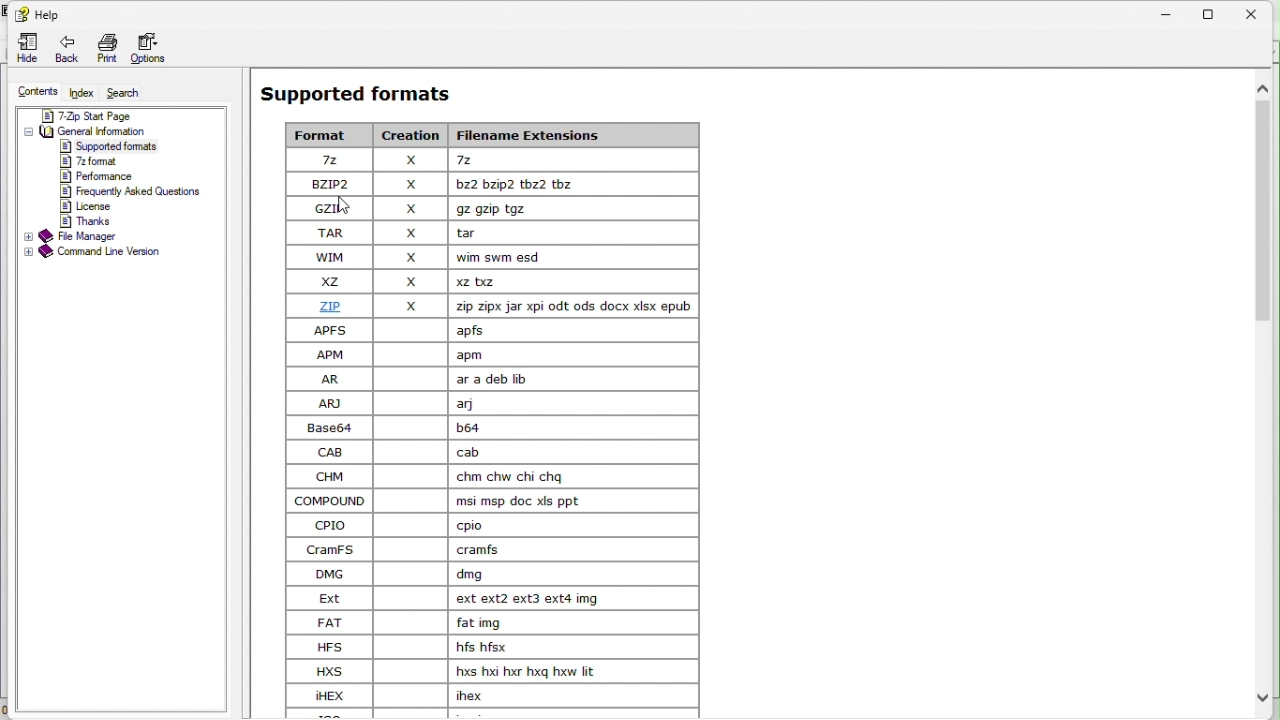 The image size is (1280, 720). What do you see at coordinates (115, 253) in the screenshot?
I see `Command line version` at bounding box center [115, 253].